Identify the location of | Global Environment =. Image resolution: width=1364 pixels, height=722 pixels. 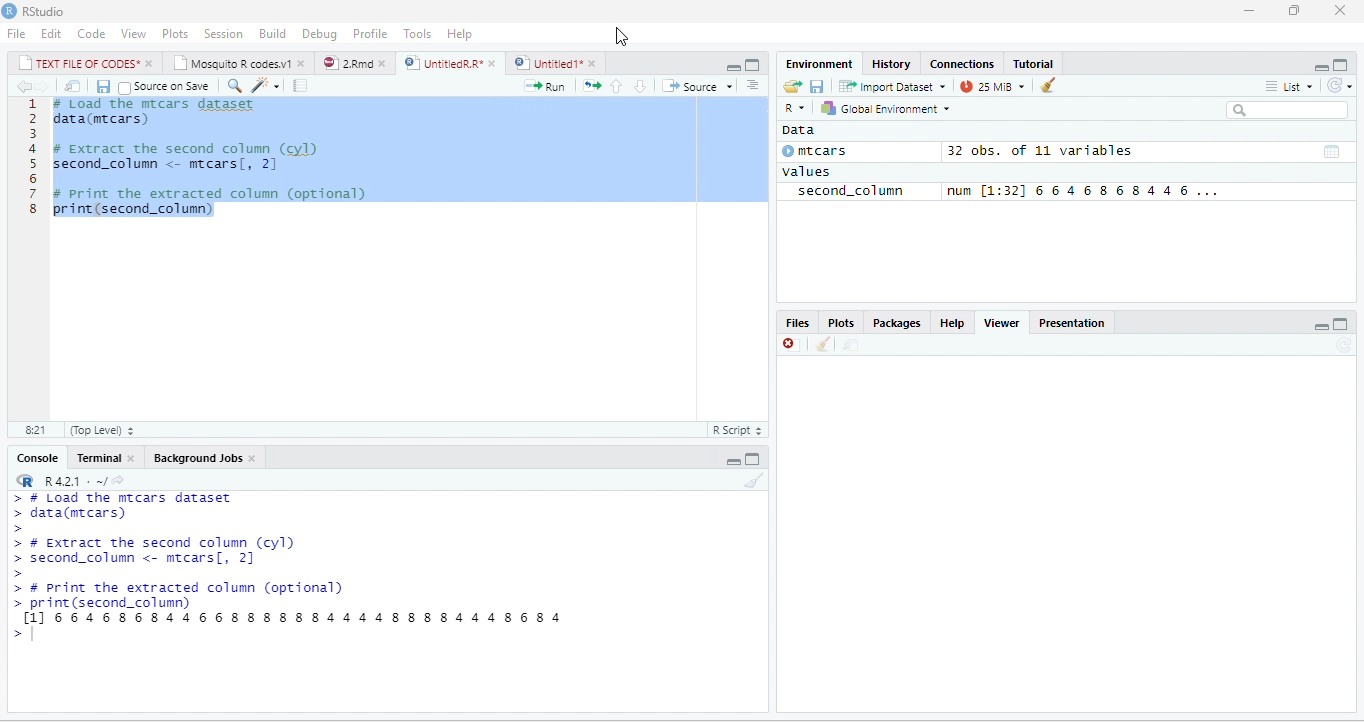
(885, 108).